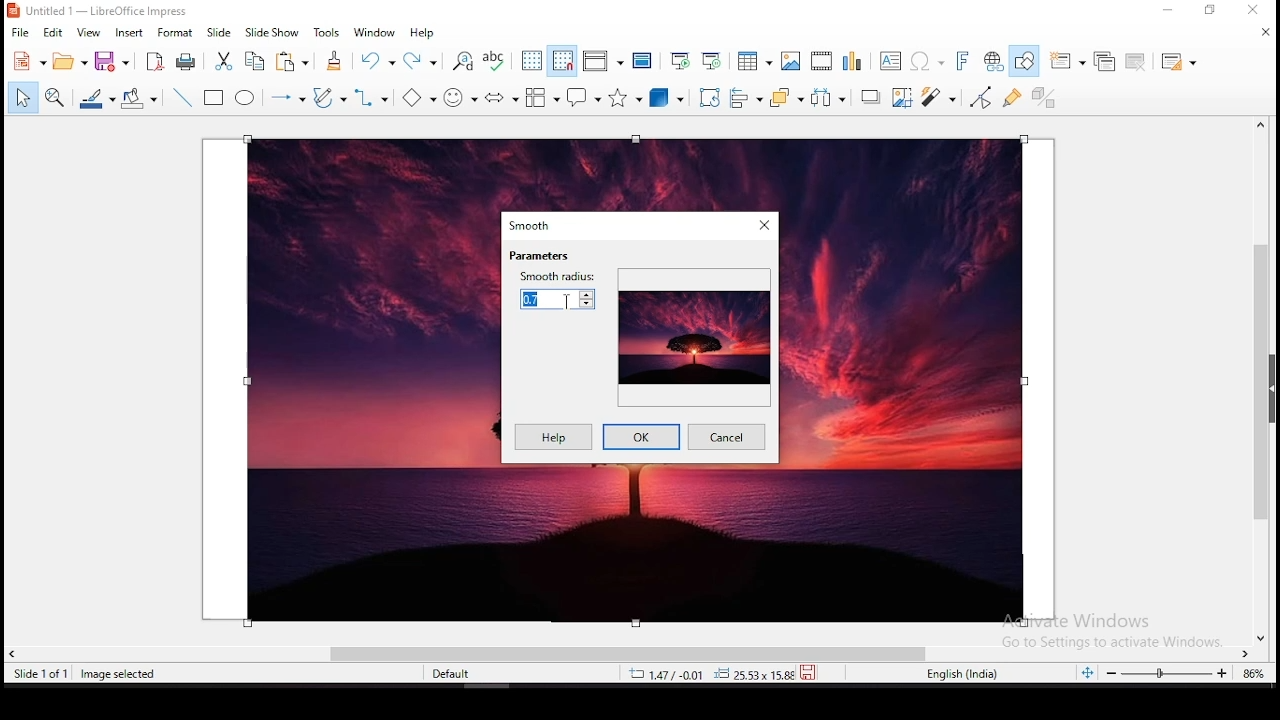 This screenshot has height=720, width=1280. What do you see at coordinates (89, 33) in the screenshot?
I see `view` at bounding box center [89, 33].